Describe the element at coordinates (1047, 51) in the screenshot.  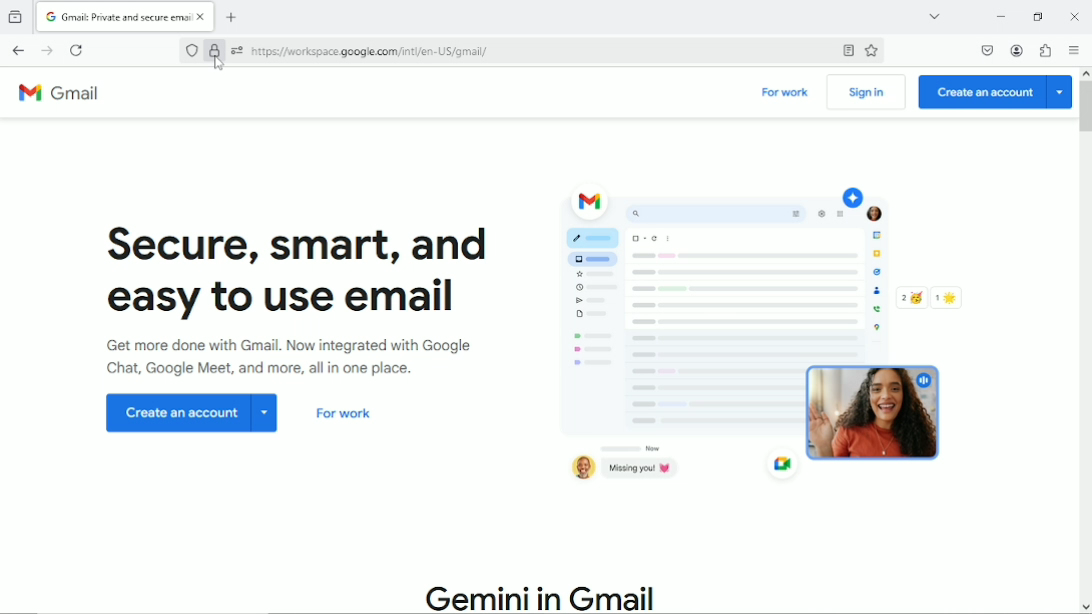
I see `Extensions` at that location.